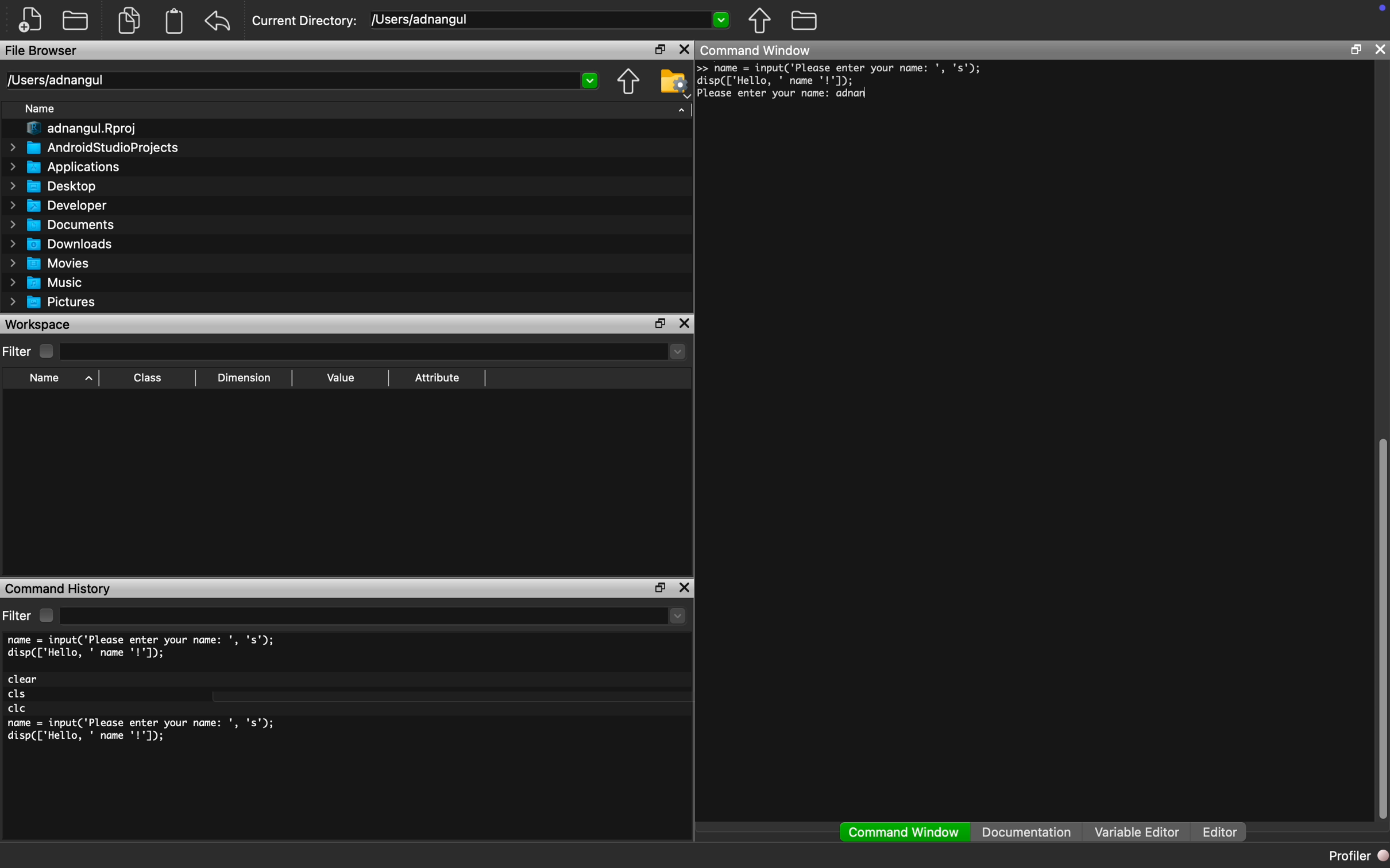 The width and height of the screenshot is (1390, 868). What do you see at coordinates (53, 303) in the screenshot?
I see `Pictures` at bounding box center [53, 303].